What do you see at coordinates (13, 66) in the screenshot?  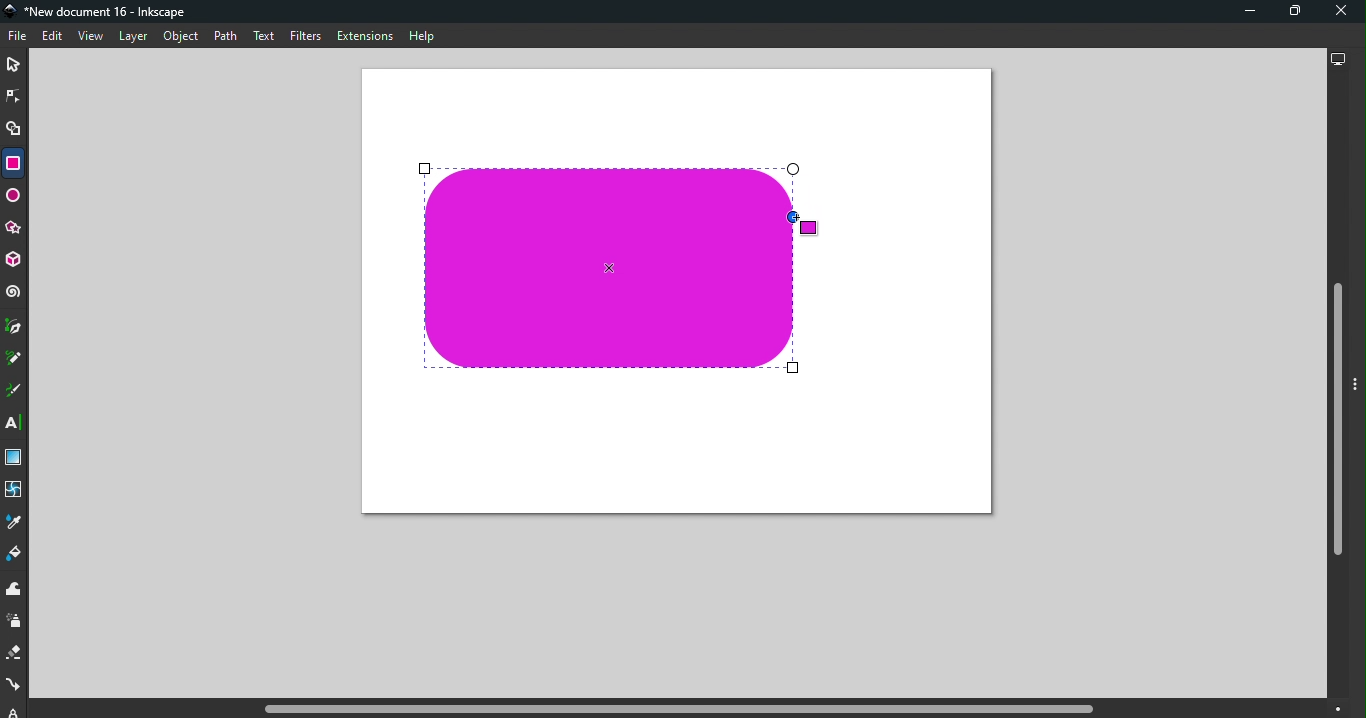 I see `Selector` at bounding box center [13, 66].